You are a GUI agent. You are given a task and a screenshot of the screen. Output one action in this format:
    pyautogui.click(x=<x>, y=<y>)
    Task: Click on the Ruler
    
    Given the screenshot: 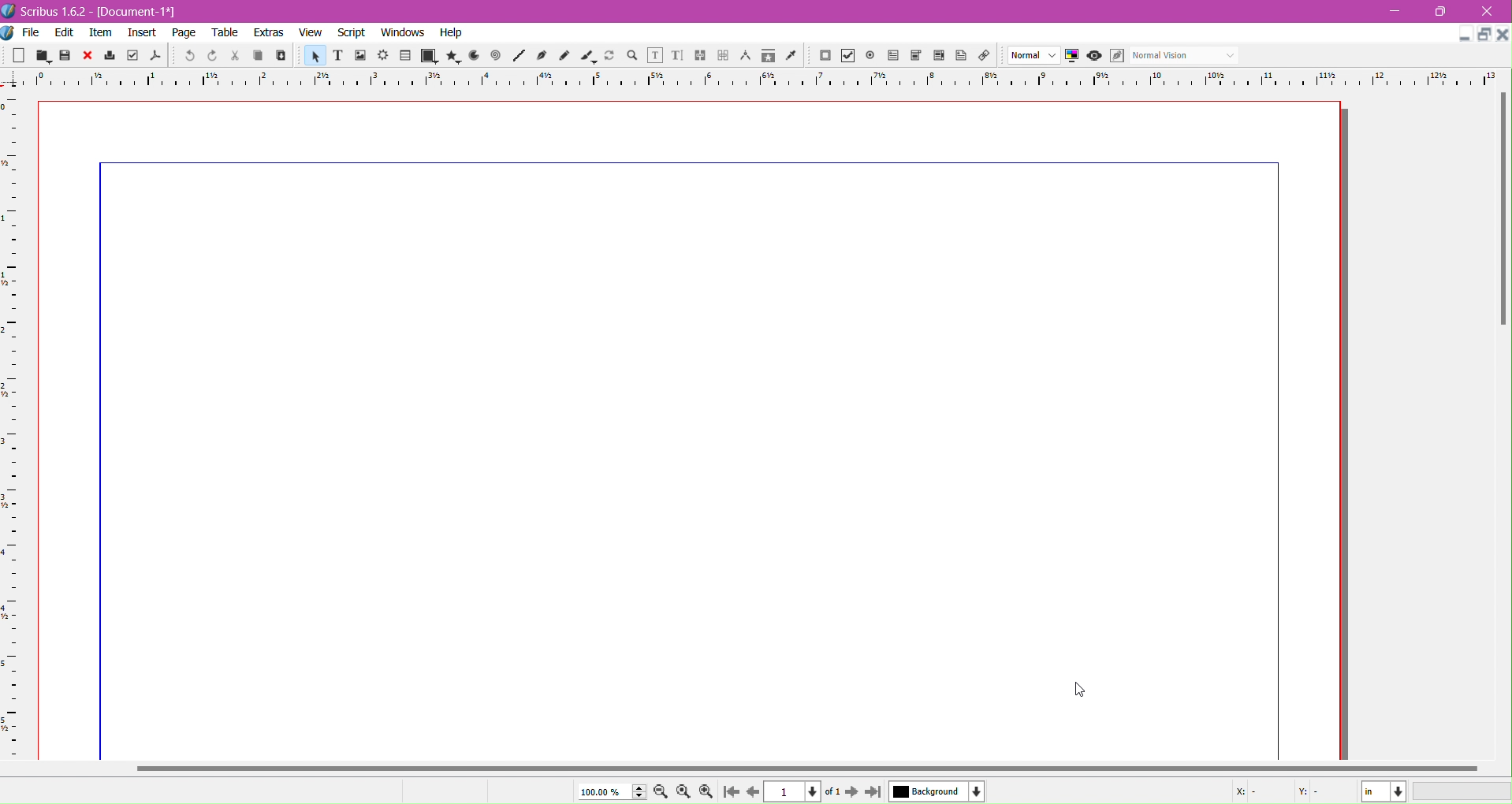 What is the action you would take?
    pyautogui.click(x=11, y=426)
    